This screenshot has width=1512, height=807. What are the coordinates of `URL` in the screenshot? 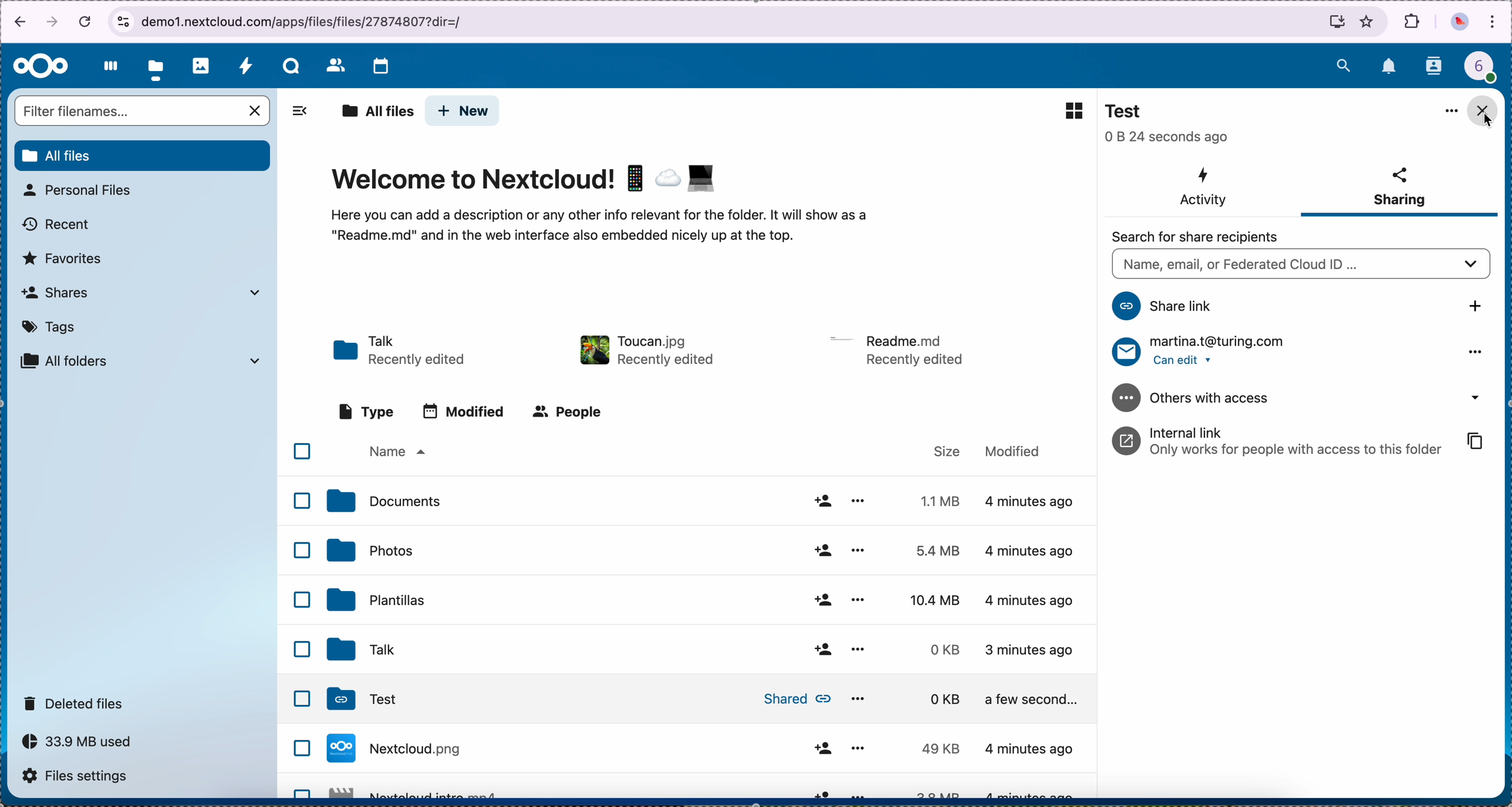 It's located at (310, 20).